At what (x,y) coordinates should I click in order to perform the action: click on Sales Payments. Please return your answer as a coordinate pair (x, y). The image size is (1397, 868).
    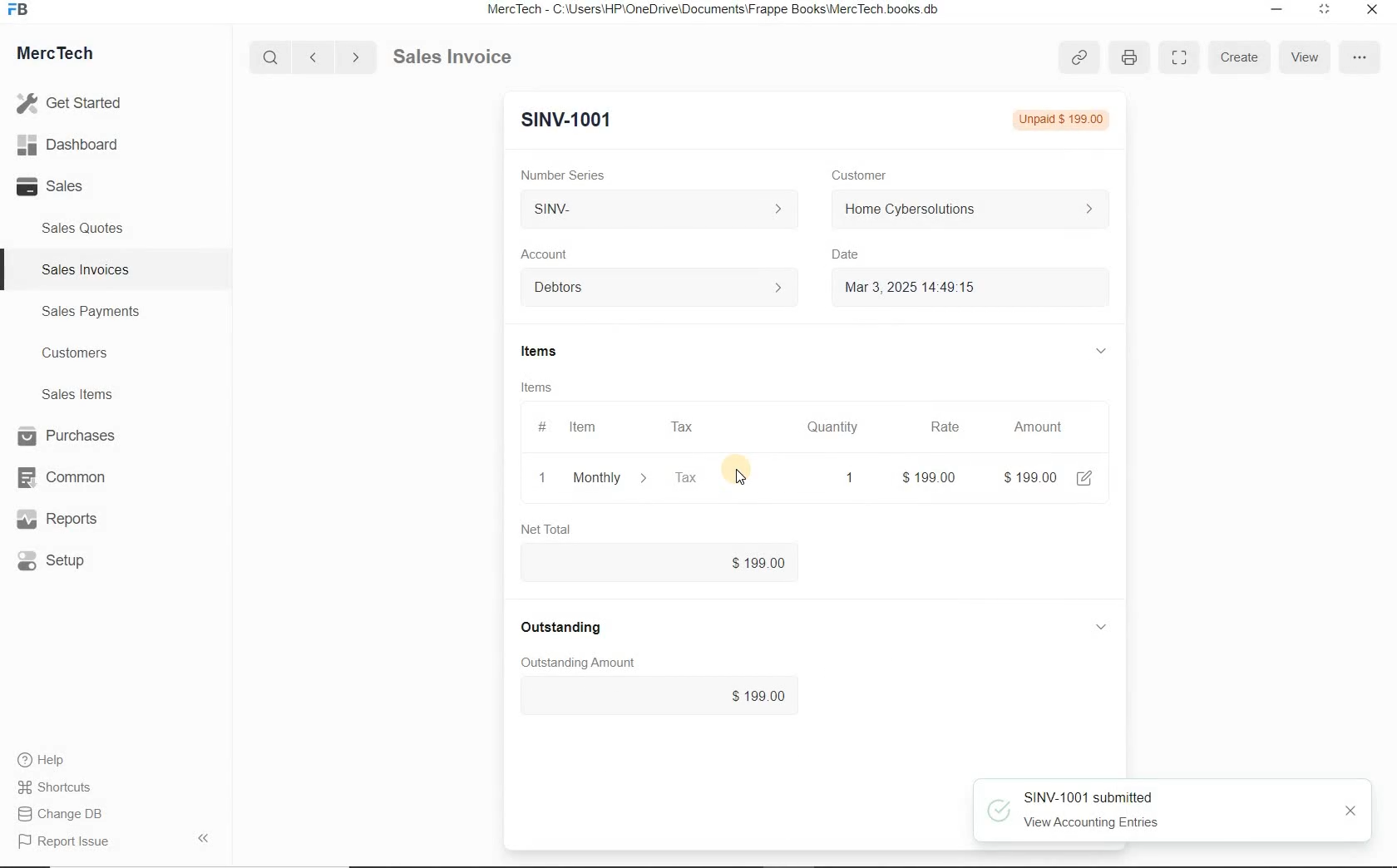
    Looking at the image, I should click on (88, 312).